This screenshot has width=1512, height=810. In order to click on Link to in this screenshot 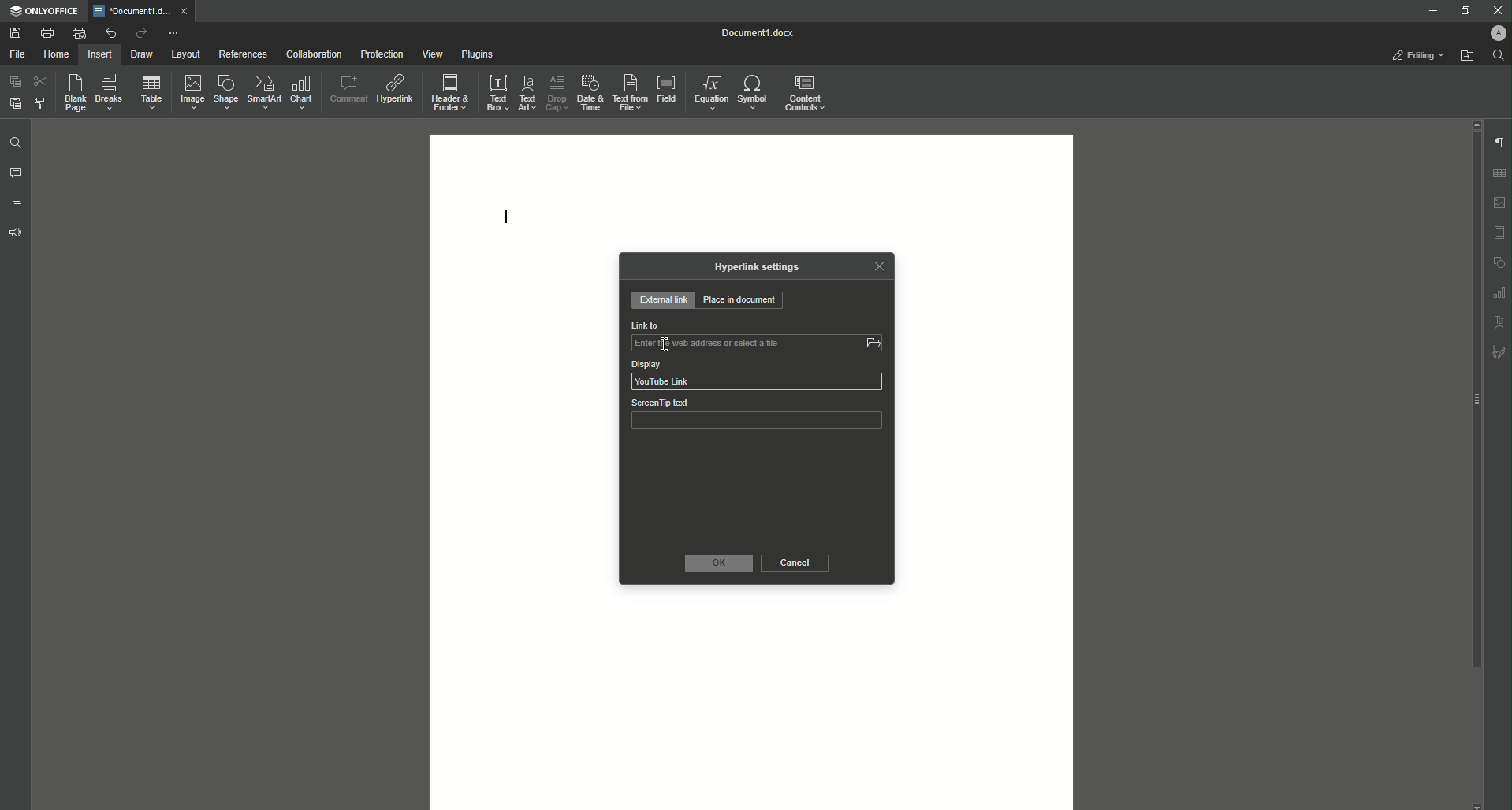, I will do `click(758, 345)`.